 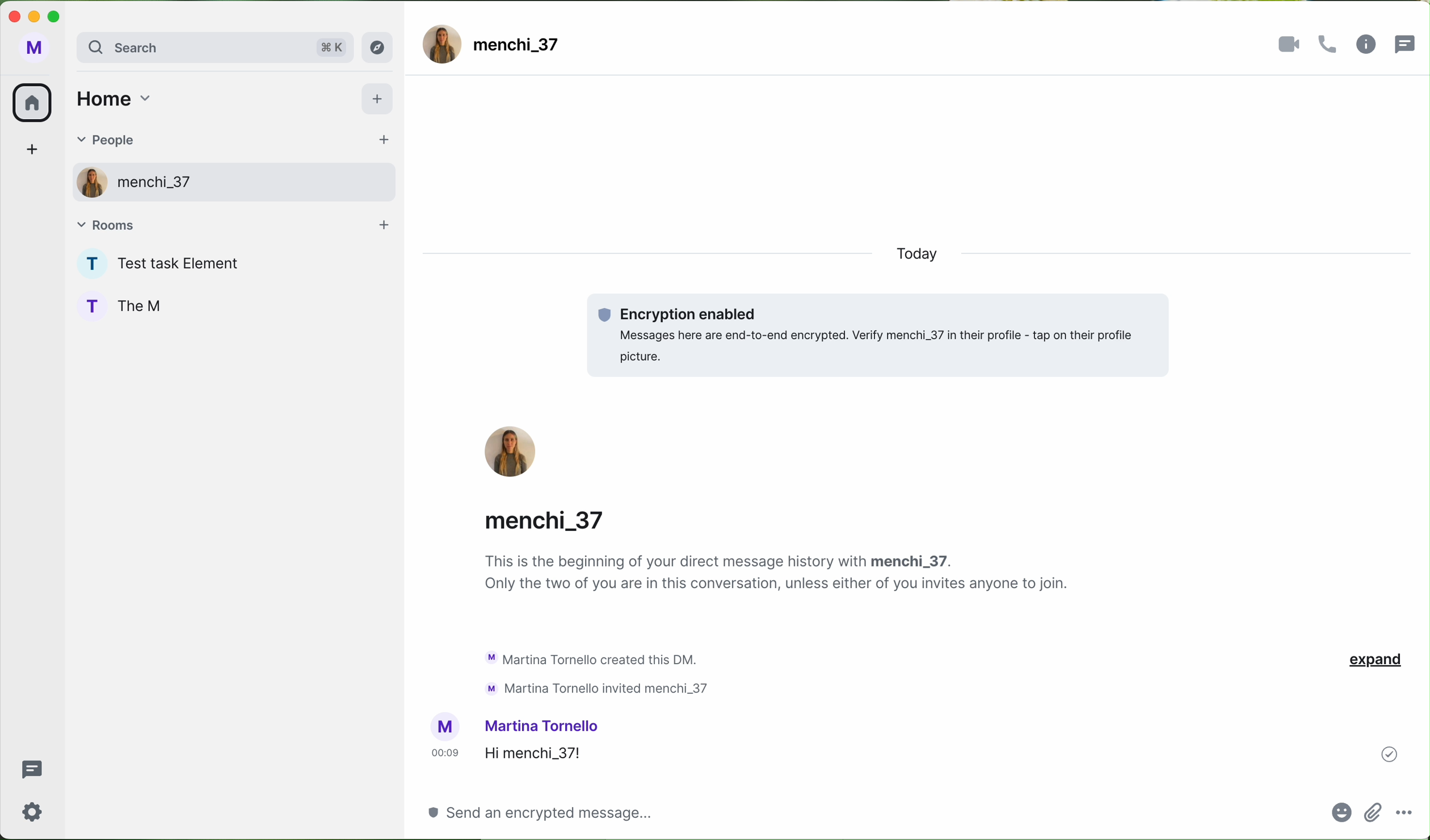 What do you see at coordinates (536, 812) in the screenshot?
I see `for writing a message` at bounding box center [536, 812].